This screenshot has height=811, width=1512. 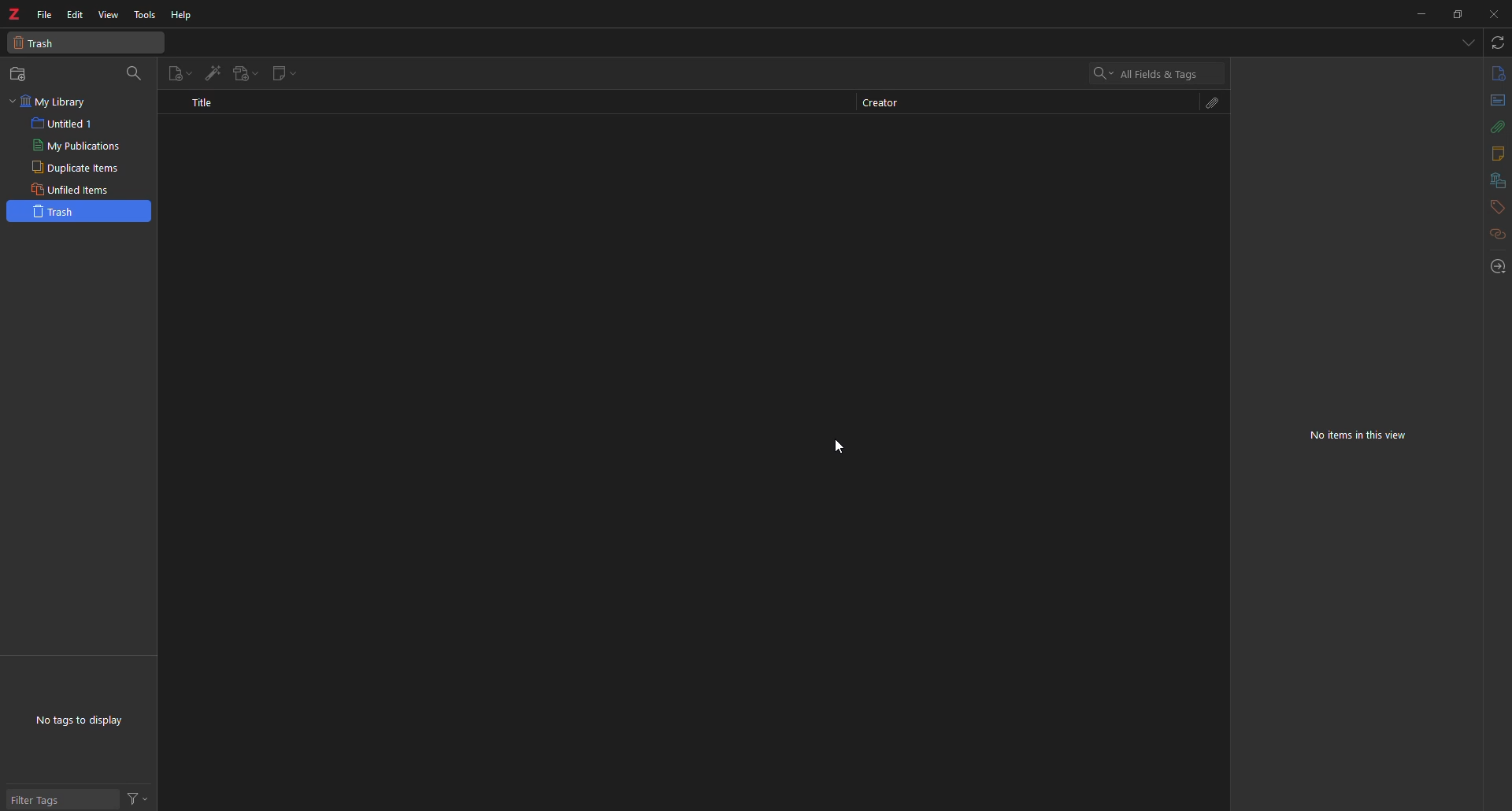 I want to click on , so click(x=1497, y=128).